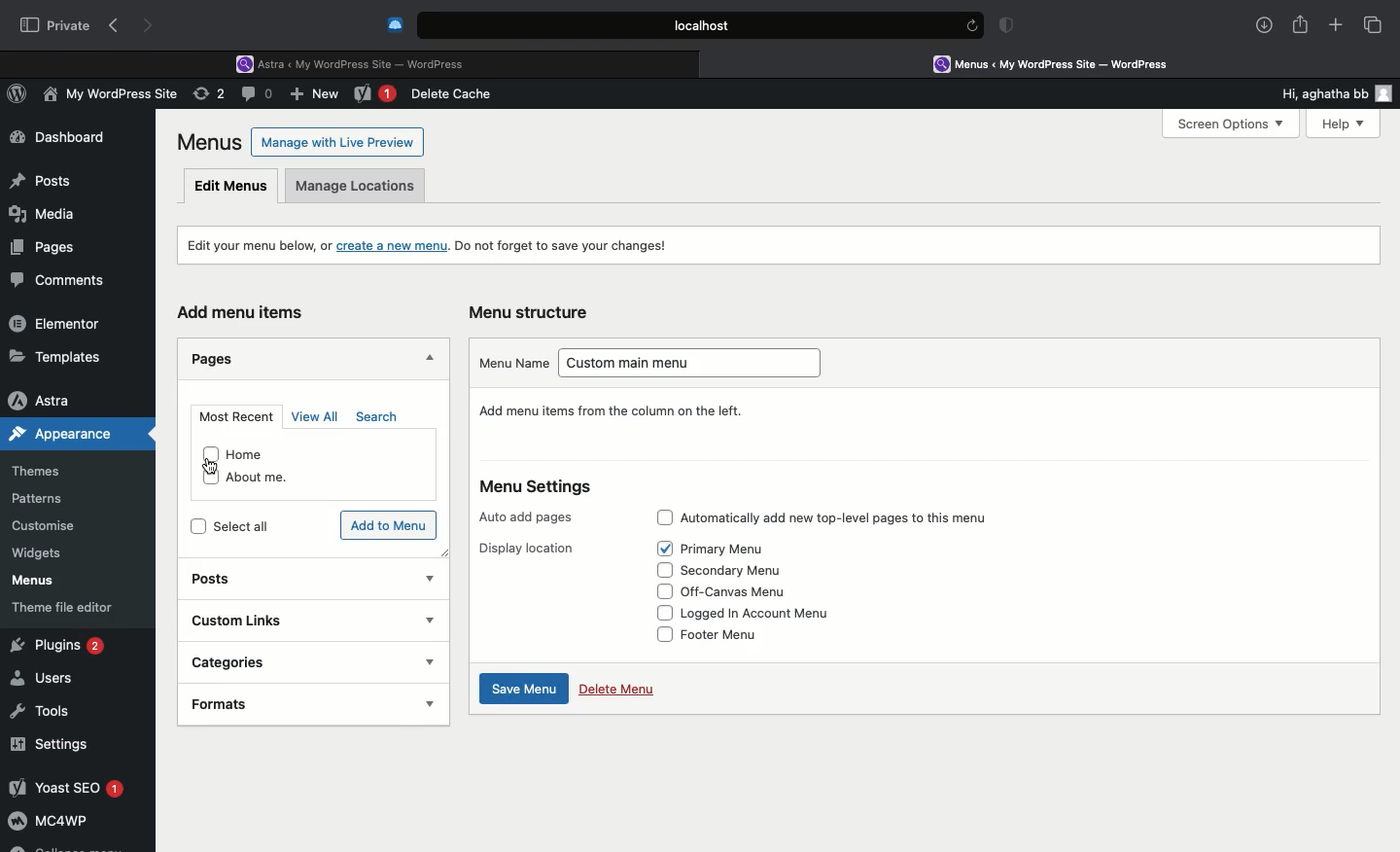  Describe the element at coordinates (42, 708) in the screenshot. I see `Tools` at that location.